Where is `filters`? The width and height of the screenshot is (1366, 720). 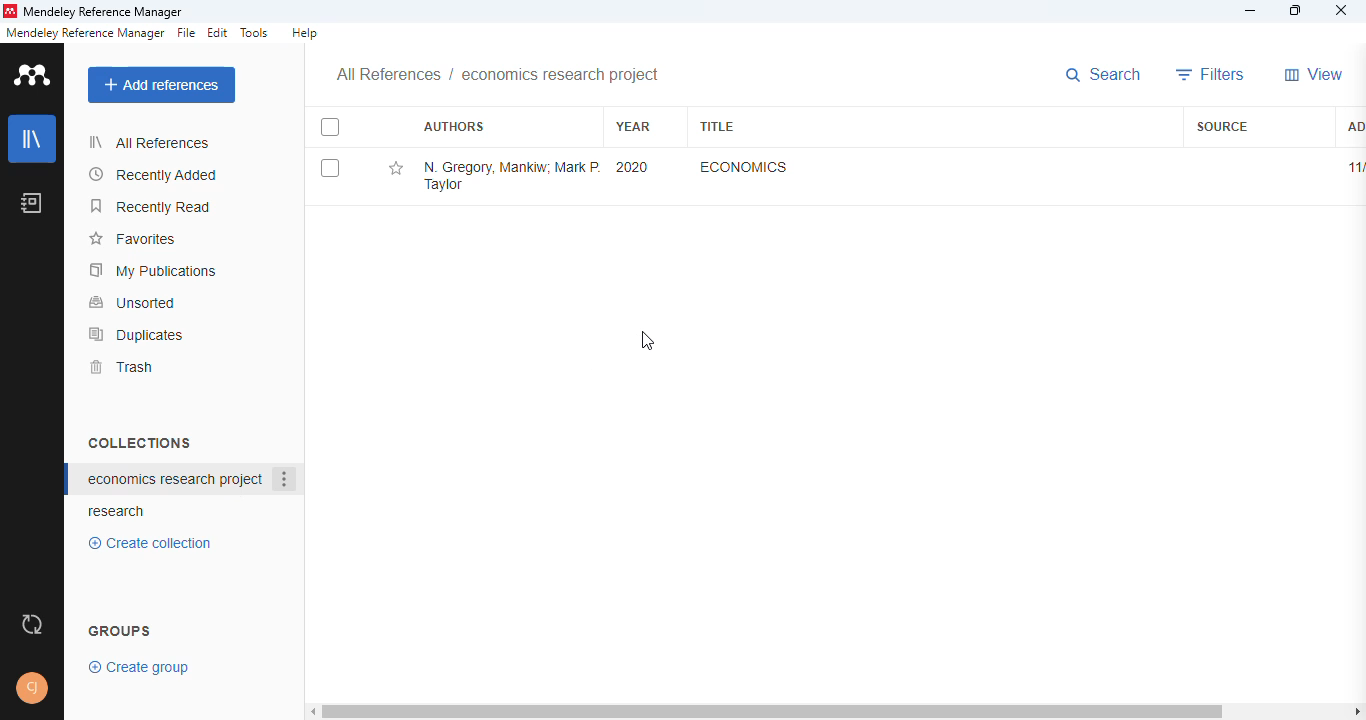
filters is located at coordinates (1211, 75).